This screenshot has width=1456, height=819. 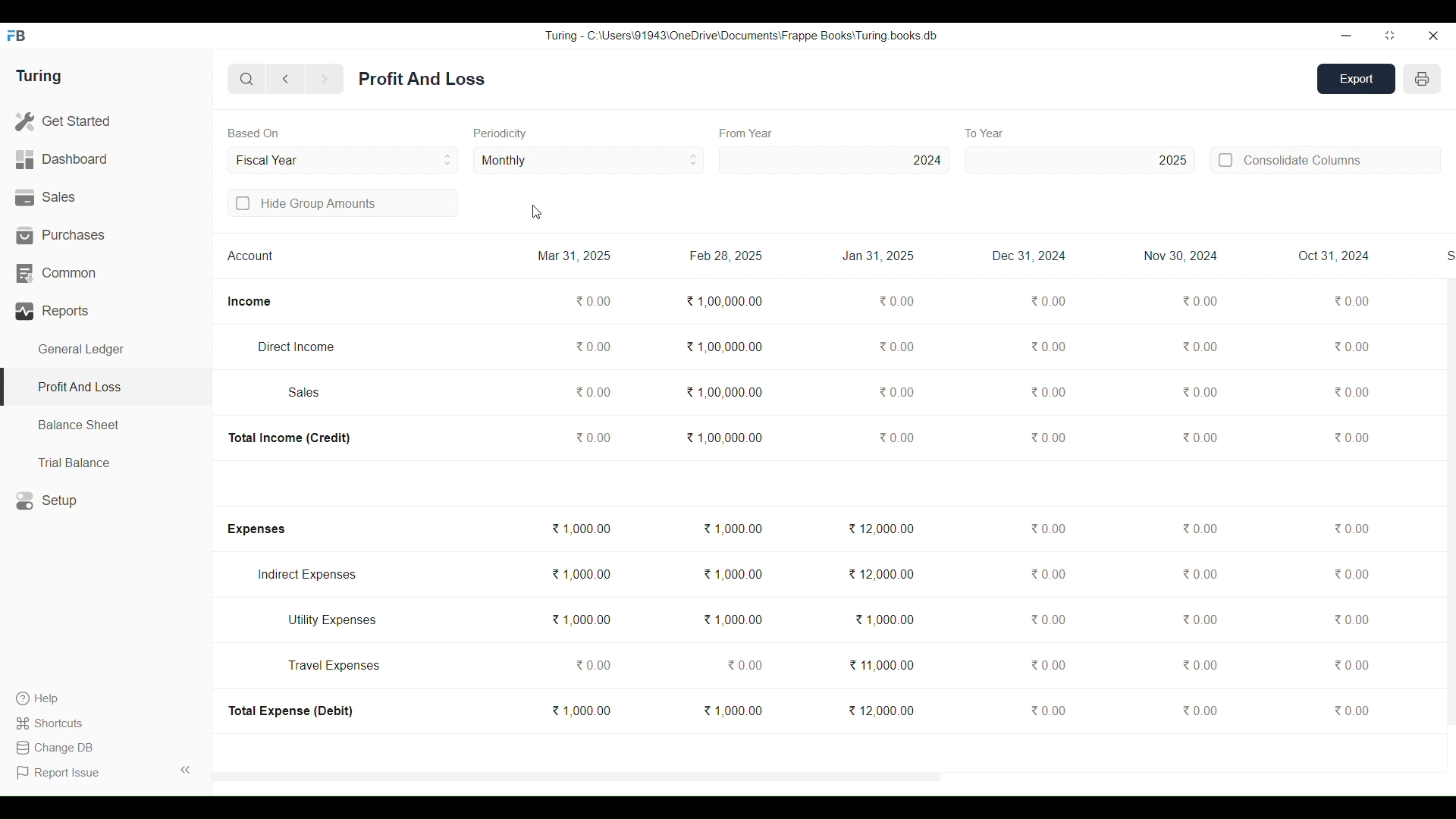 I want to click on 0.00, so click(x=1351, y=529).